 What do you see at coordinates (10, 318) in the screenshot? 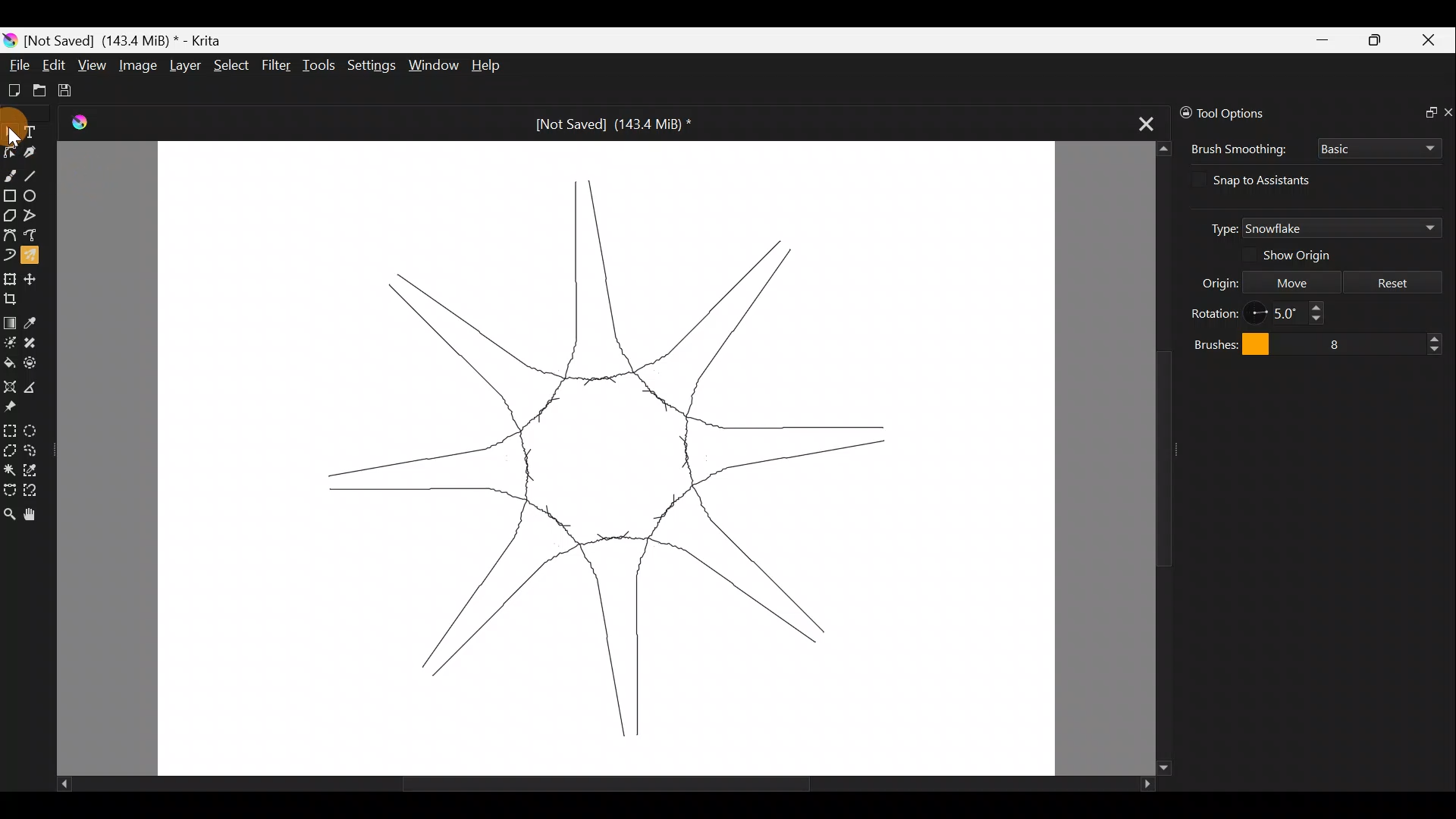
I see `Draw a gradient` at bounding box center [10, 318].